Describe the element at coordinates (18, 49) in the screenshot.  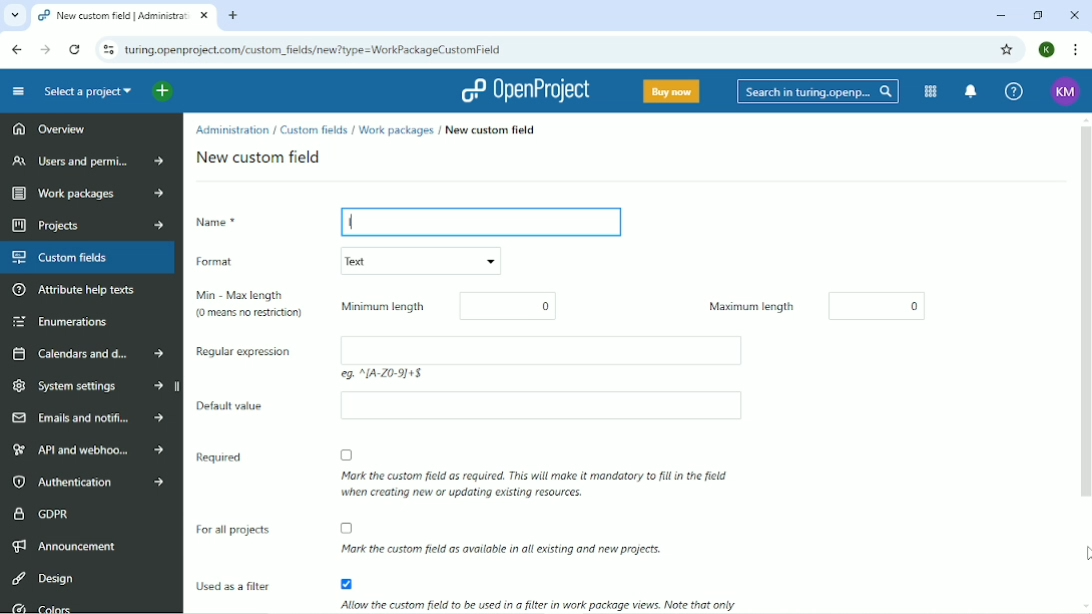
I see `Back` at that location.